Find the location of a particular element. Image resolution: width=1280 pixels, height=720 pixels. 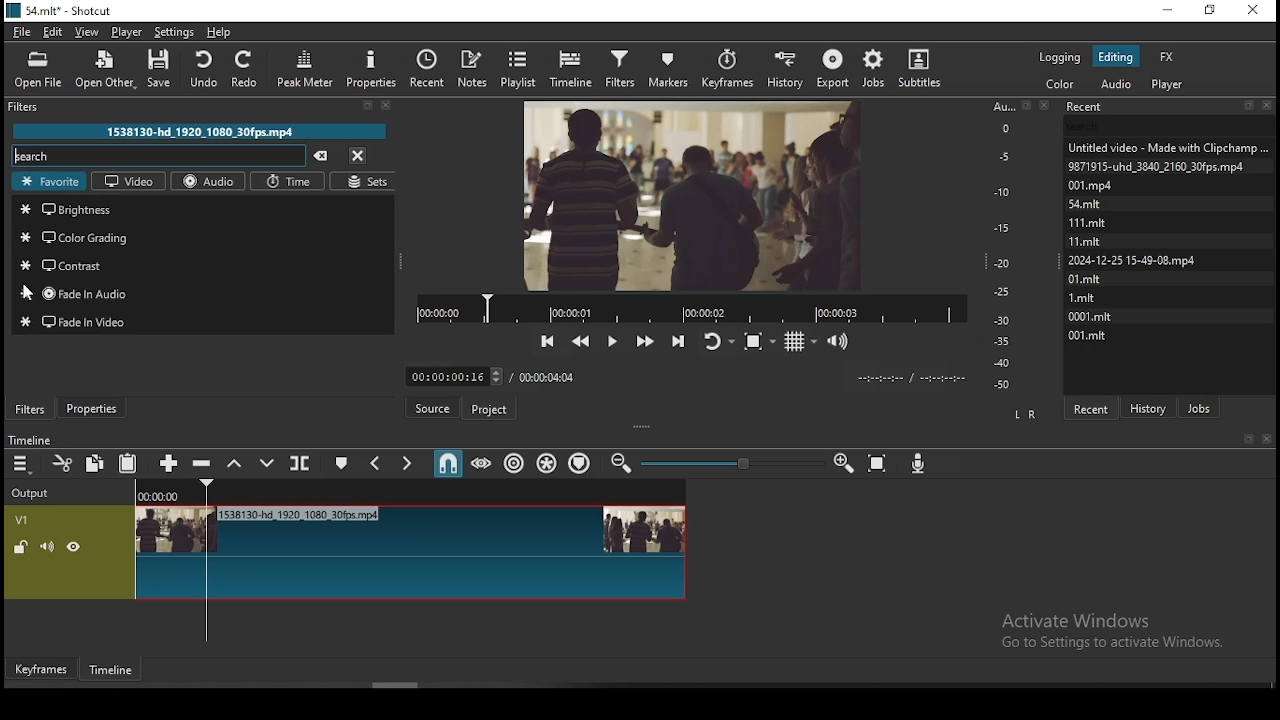

brightness is located at coordinates (202, 208).